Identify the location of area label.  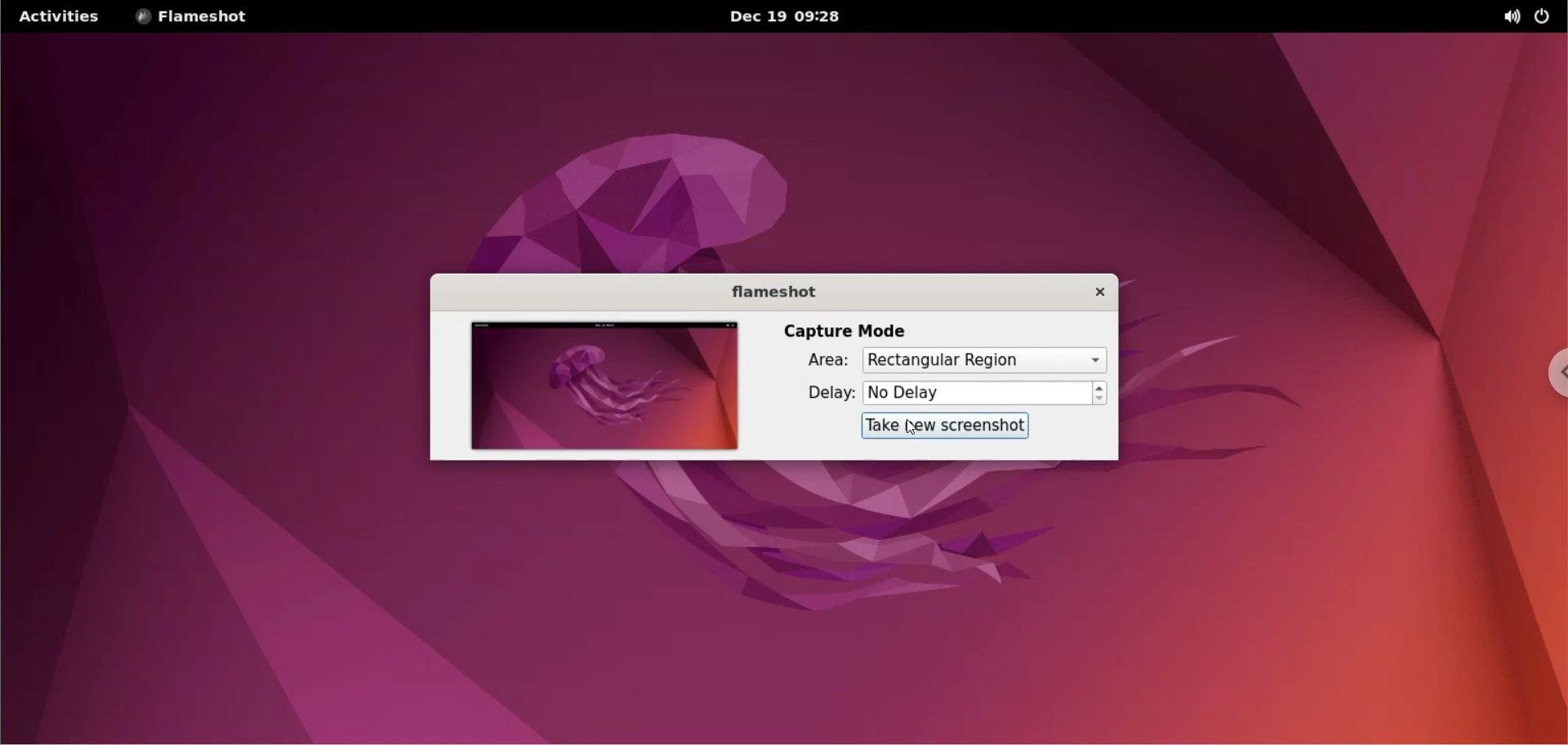
(831, 361).